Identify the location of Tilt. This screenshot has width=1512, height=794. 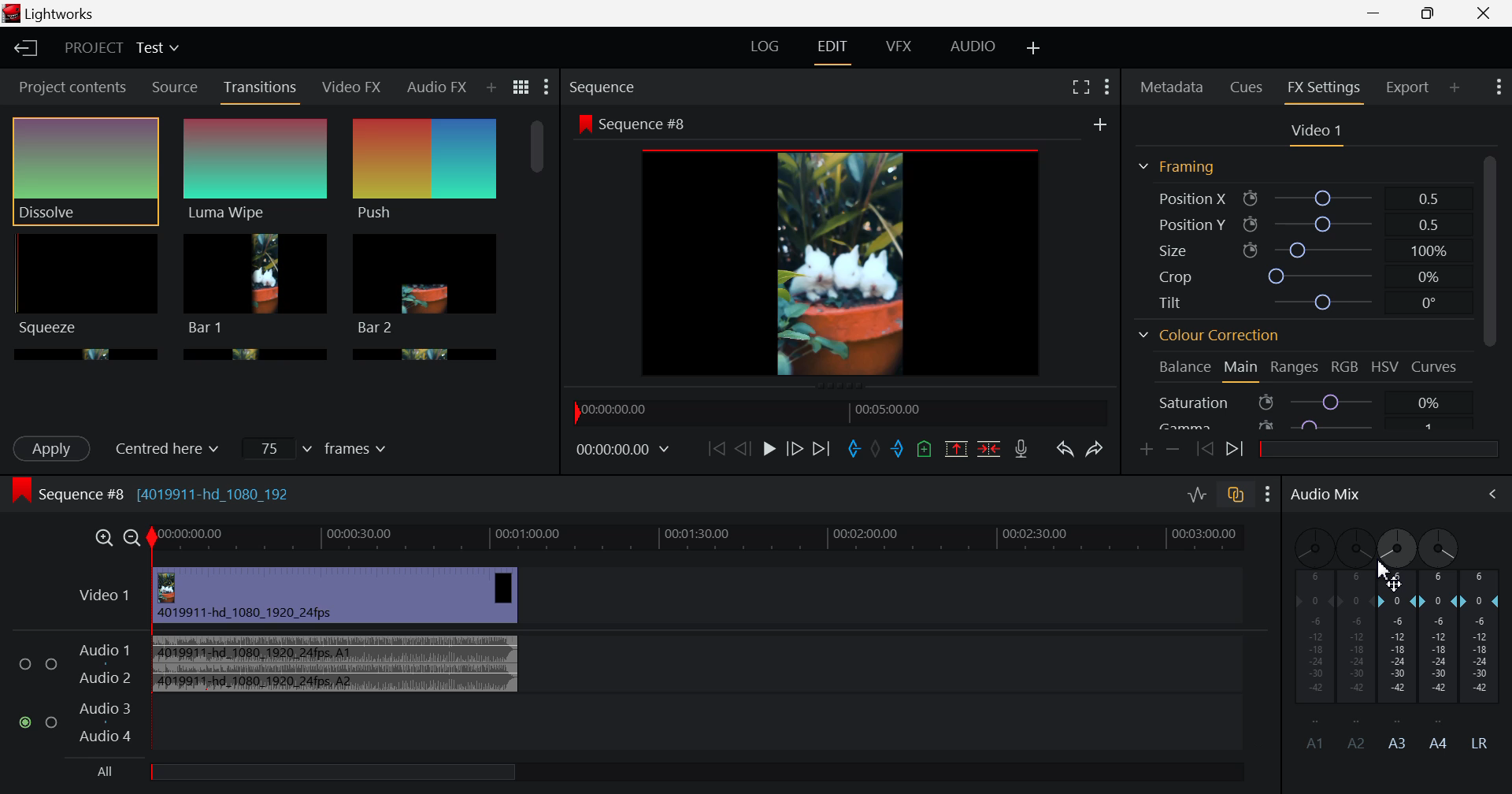
(1299, 304).